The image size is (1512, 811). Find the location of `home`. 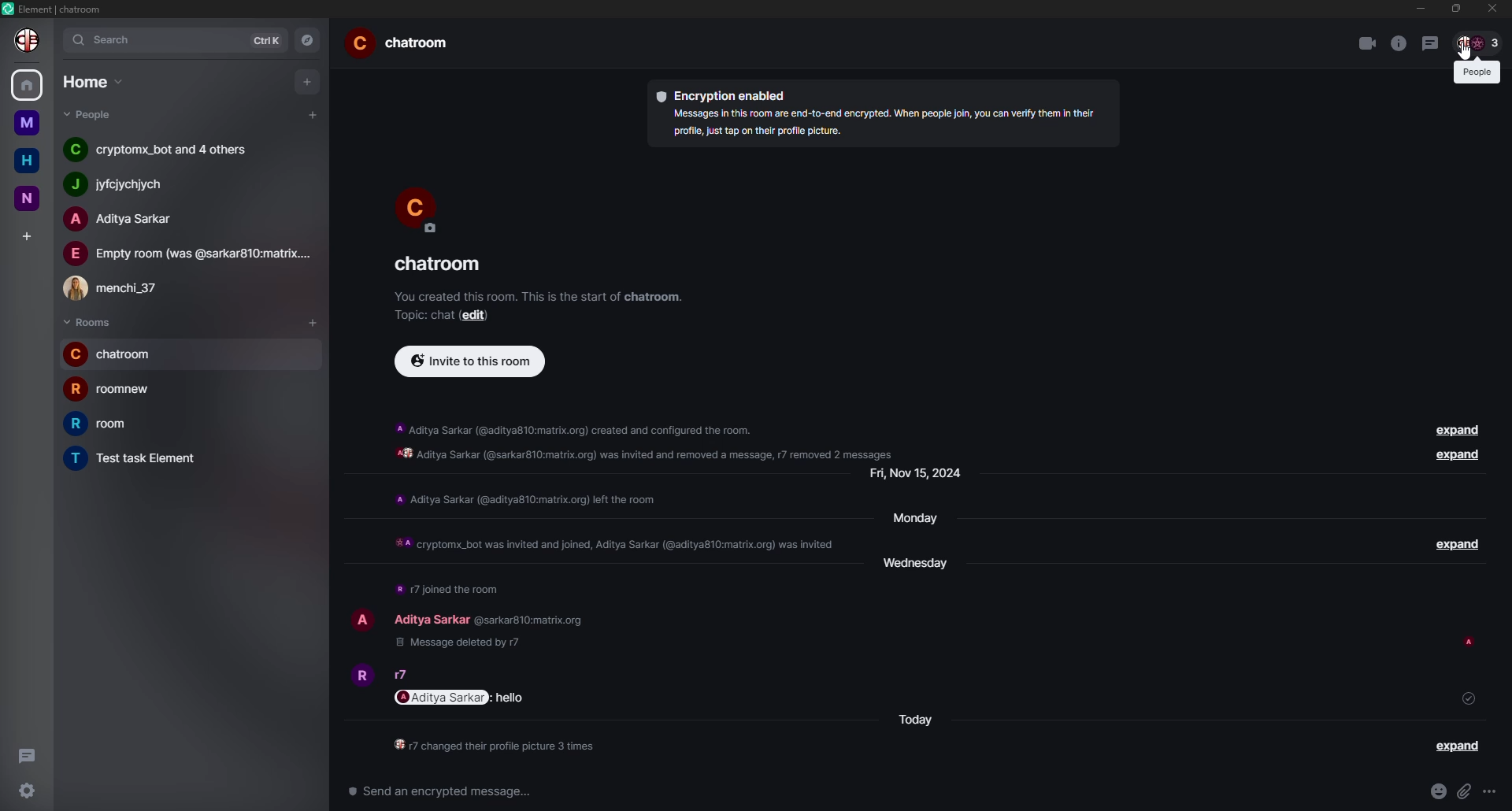

home is located at coordinates (94, 81).